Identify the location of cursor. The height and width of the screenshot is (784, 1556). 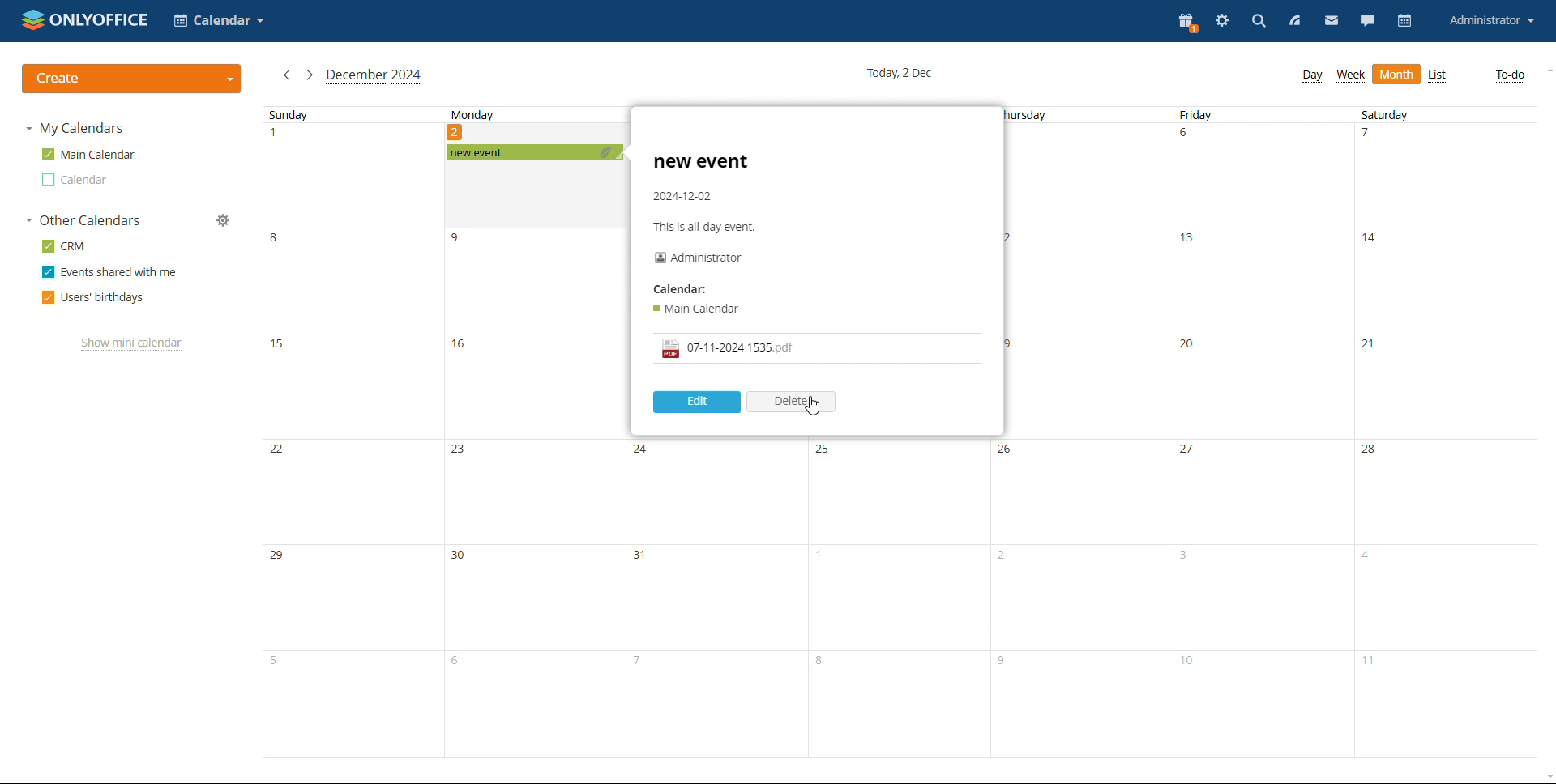
(816, 407).